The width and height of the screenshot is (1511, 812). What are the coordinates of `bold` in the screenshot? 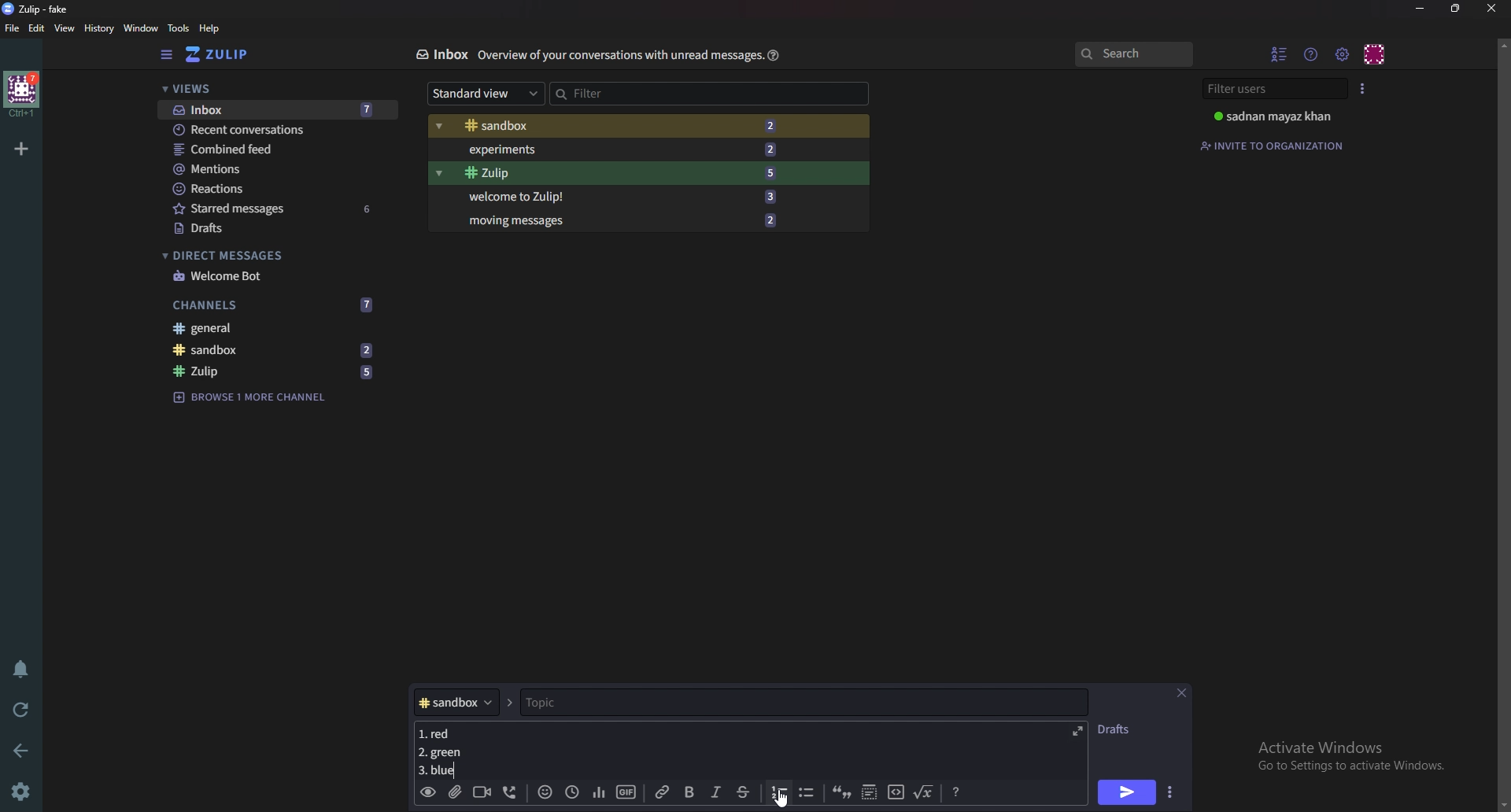 It's located at (688, 792).